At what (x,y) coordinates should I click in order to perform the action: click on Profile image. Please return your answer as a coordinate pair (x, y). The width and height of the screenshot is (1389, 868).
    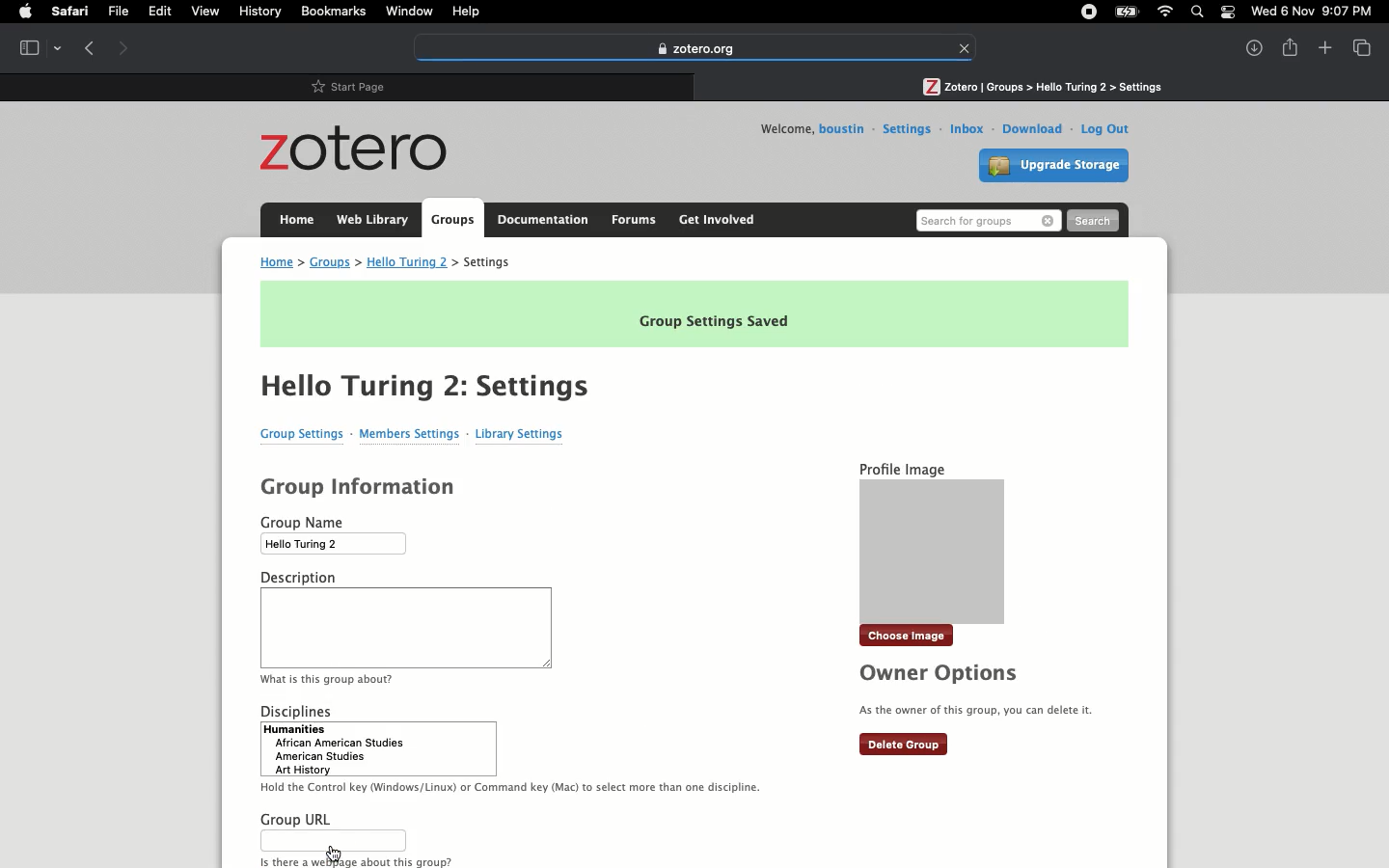
    Looking at the image, I should click on (930, 539).